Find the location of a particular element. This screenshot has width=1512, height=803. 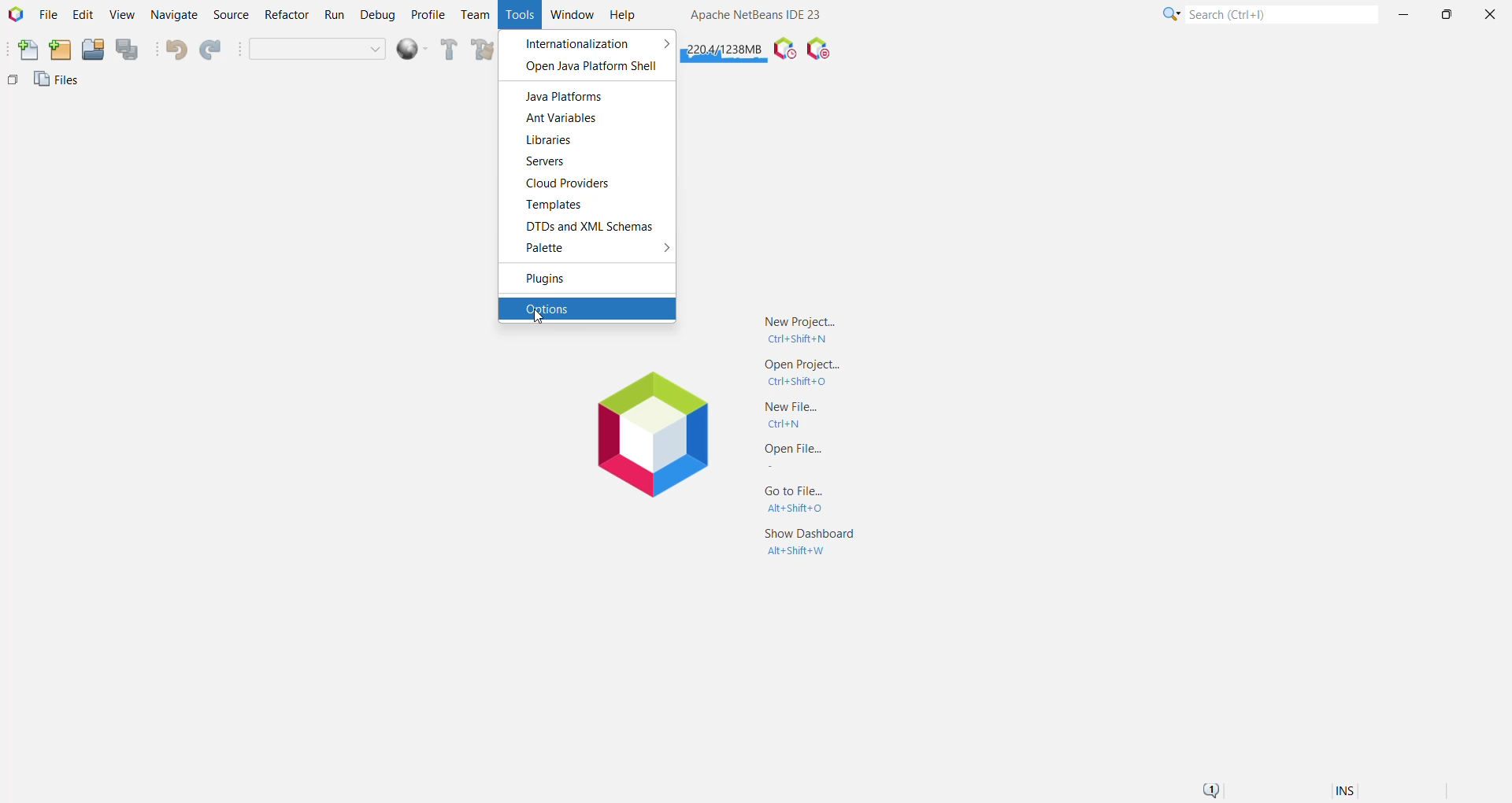

Open Java Platform Shell is located at coordinates (592, 67).